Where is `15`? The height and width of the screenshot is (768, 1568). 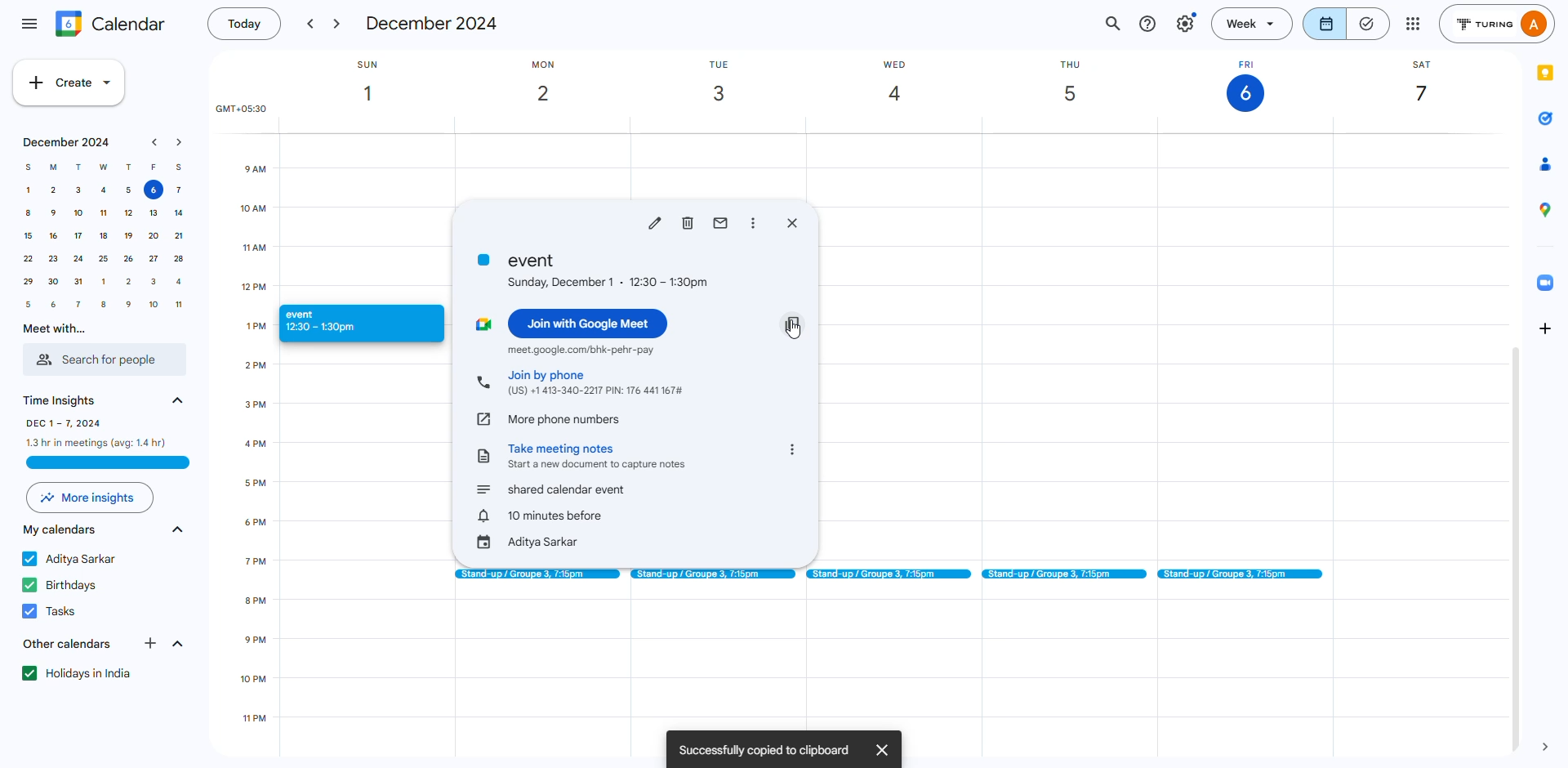
15 is located at coordinates (28, 237).